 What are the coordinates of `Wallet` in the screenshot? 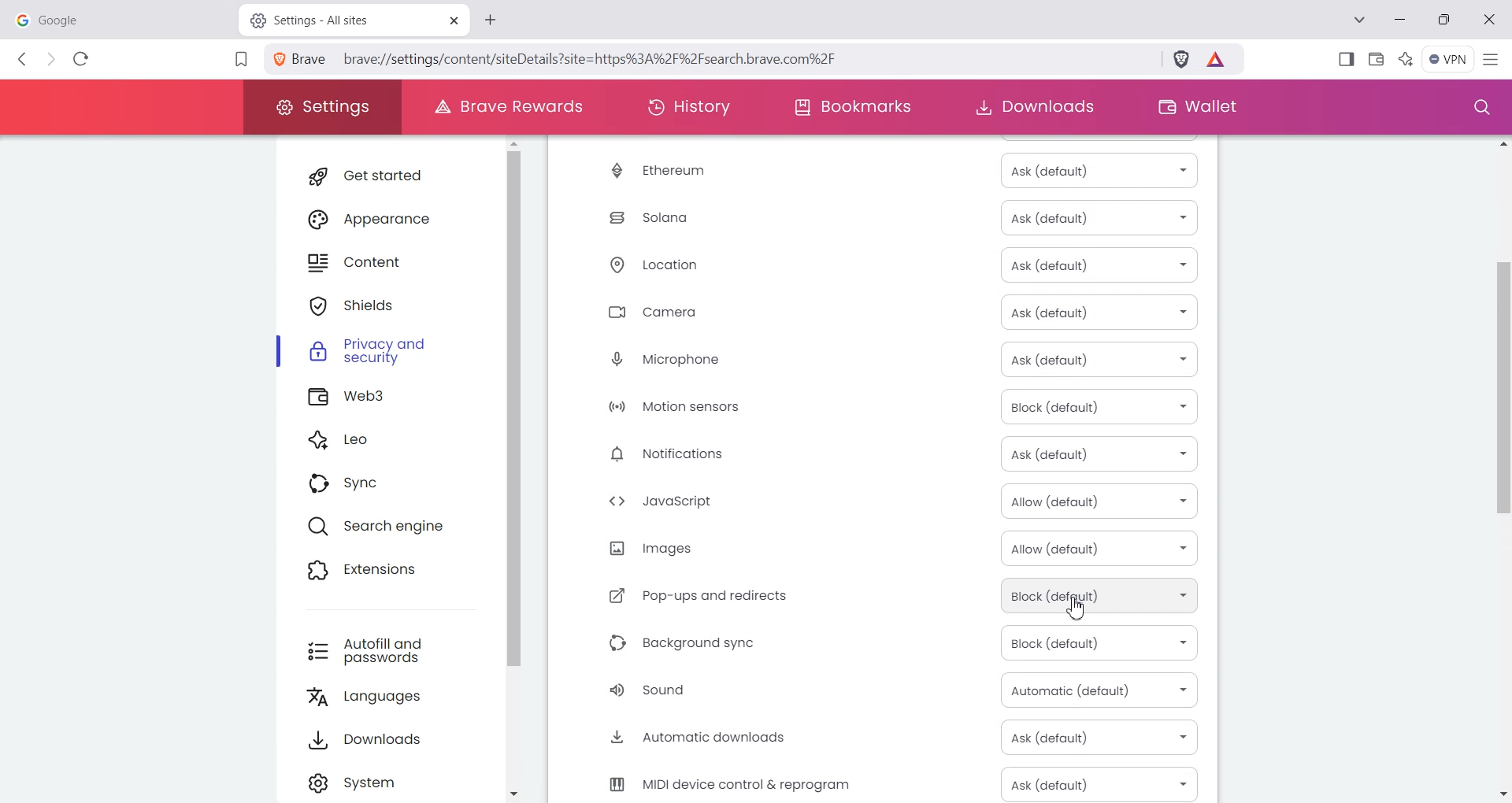 It's located at (1195, 107).